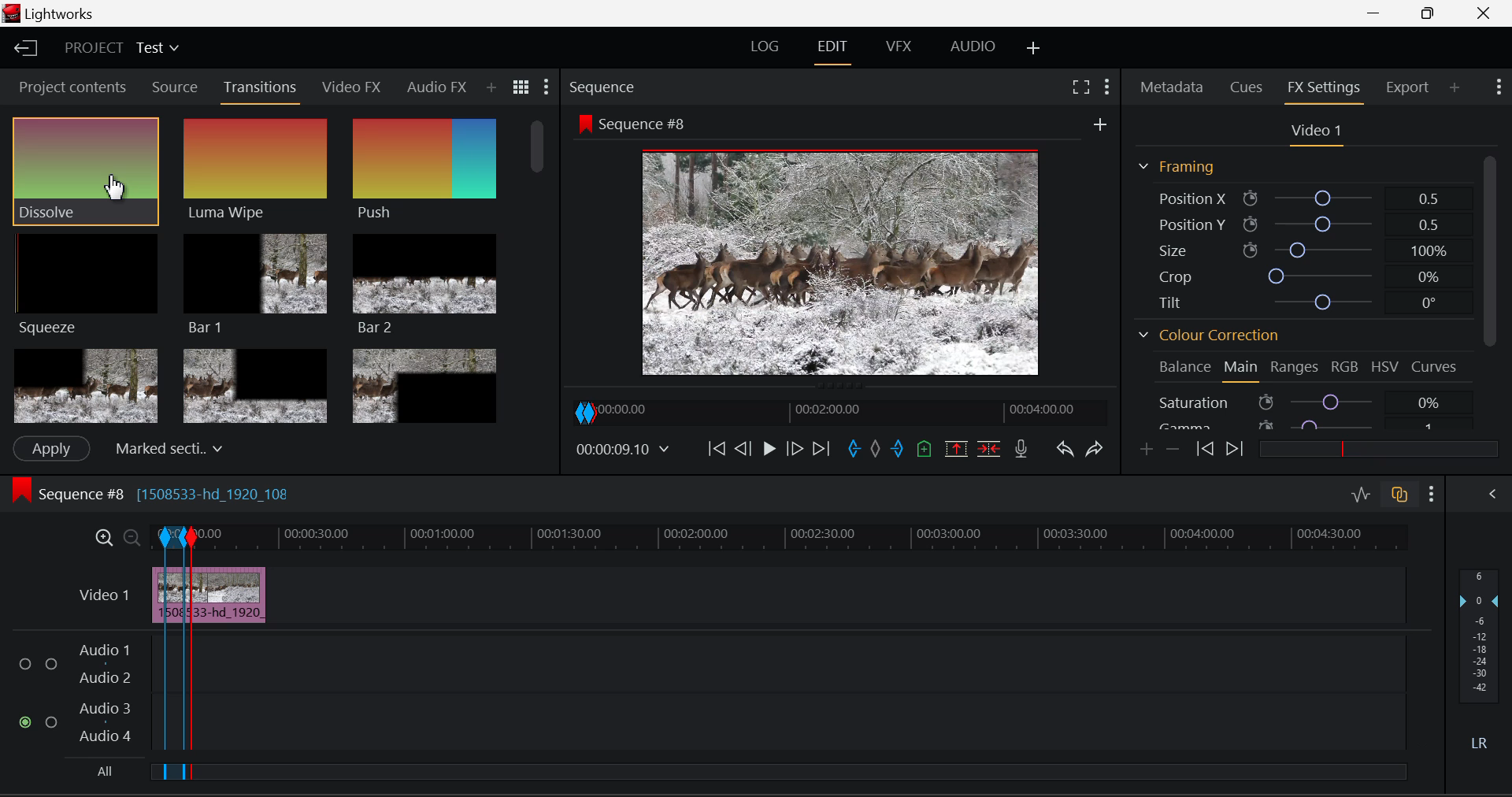 The image size is (1512, 797). Describe the element at coordinates (52, 449) in the screenshot. I see `Apply` at that location.